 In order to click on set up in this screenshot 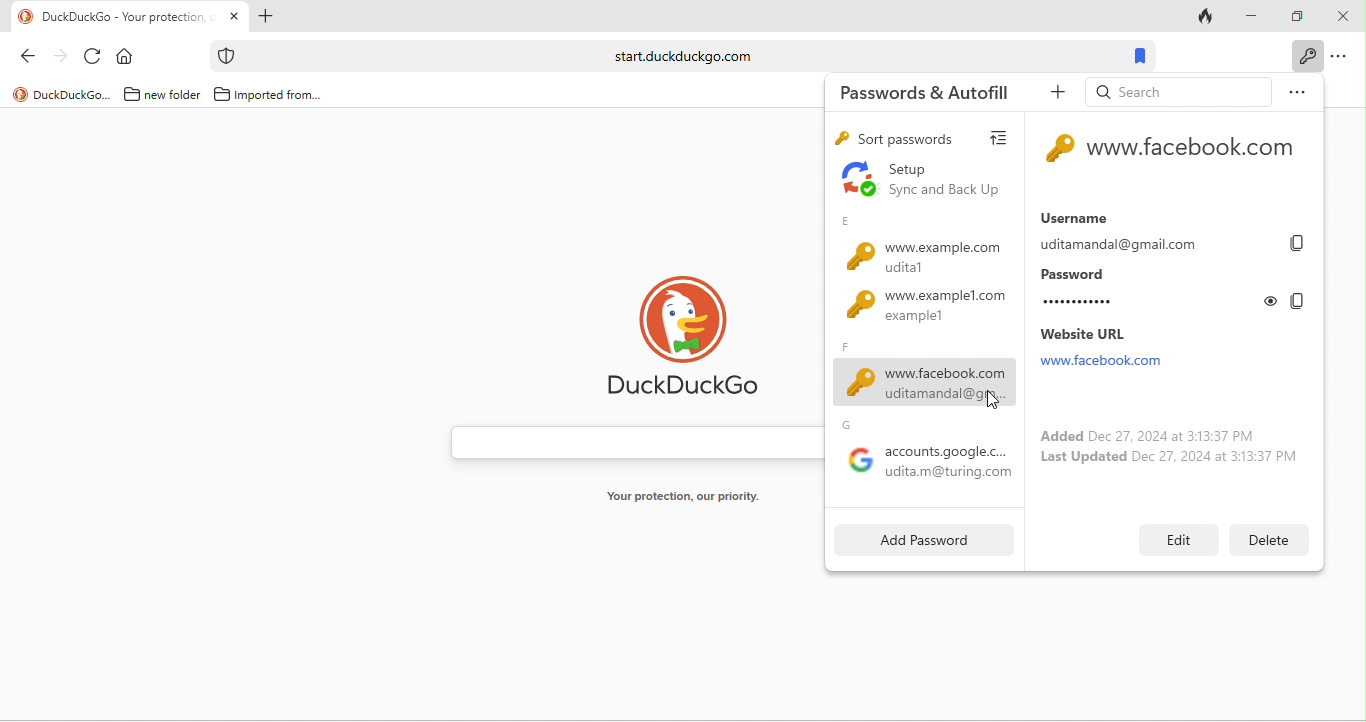, I will do `click(920, 182)`.